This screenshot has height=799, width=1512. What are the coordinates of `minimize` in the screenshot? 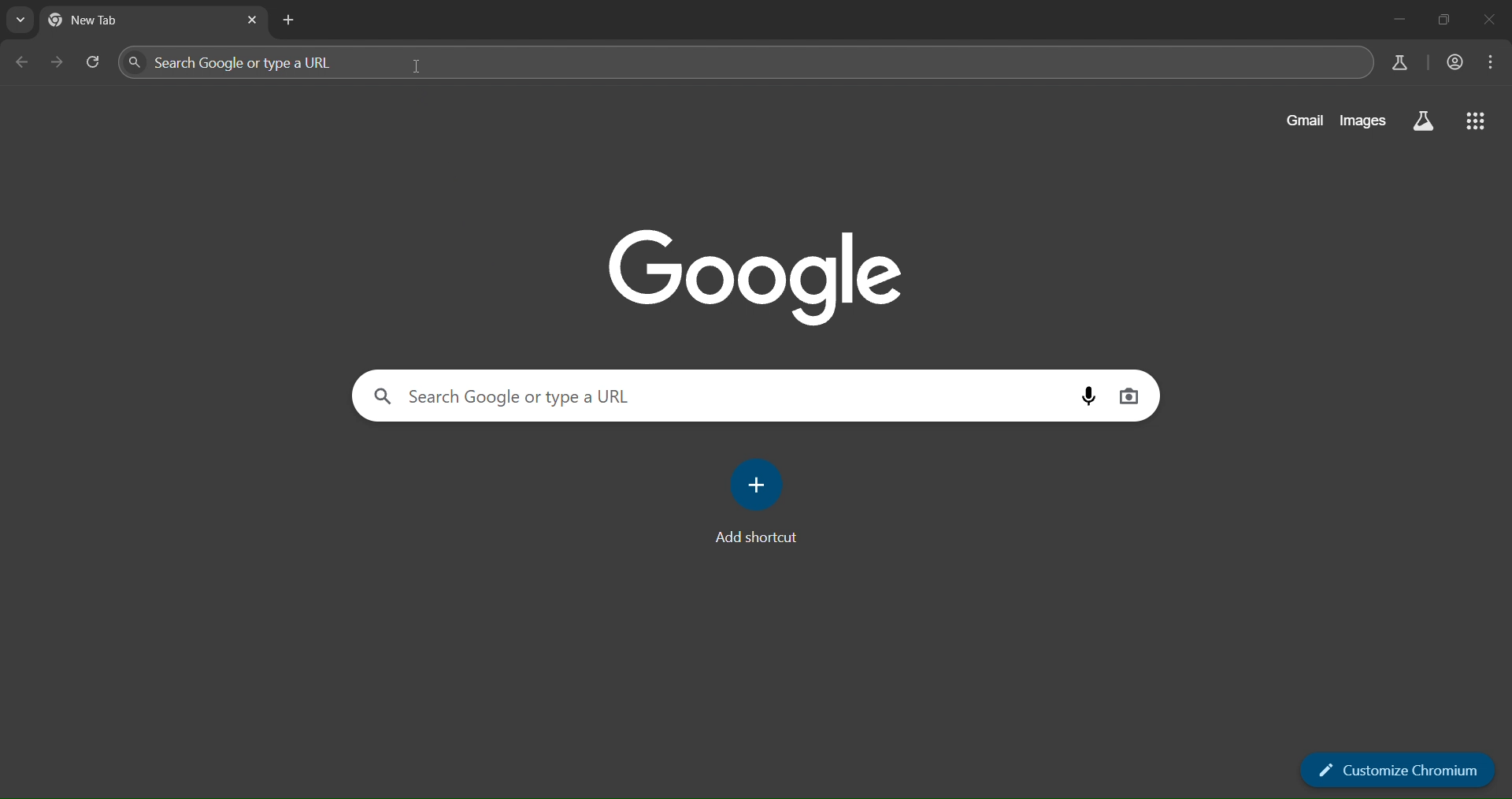 It's located at (1397, 19).